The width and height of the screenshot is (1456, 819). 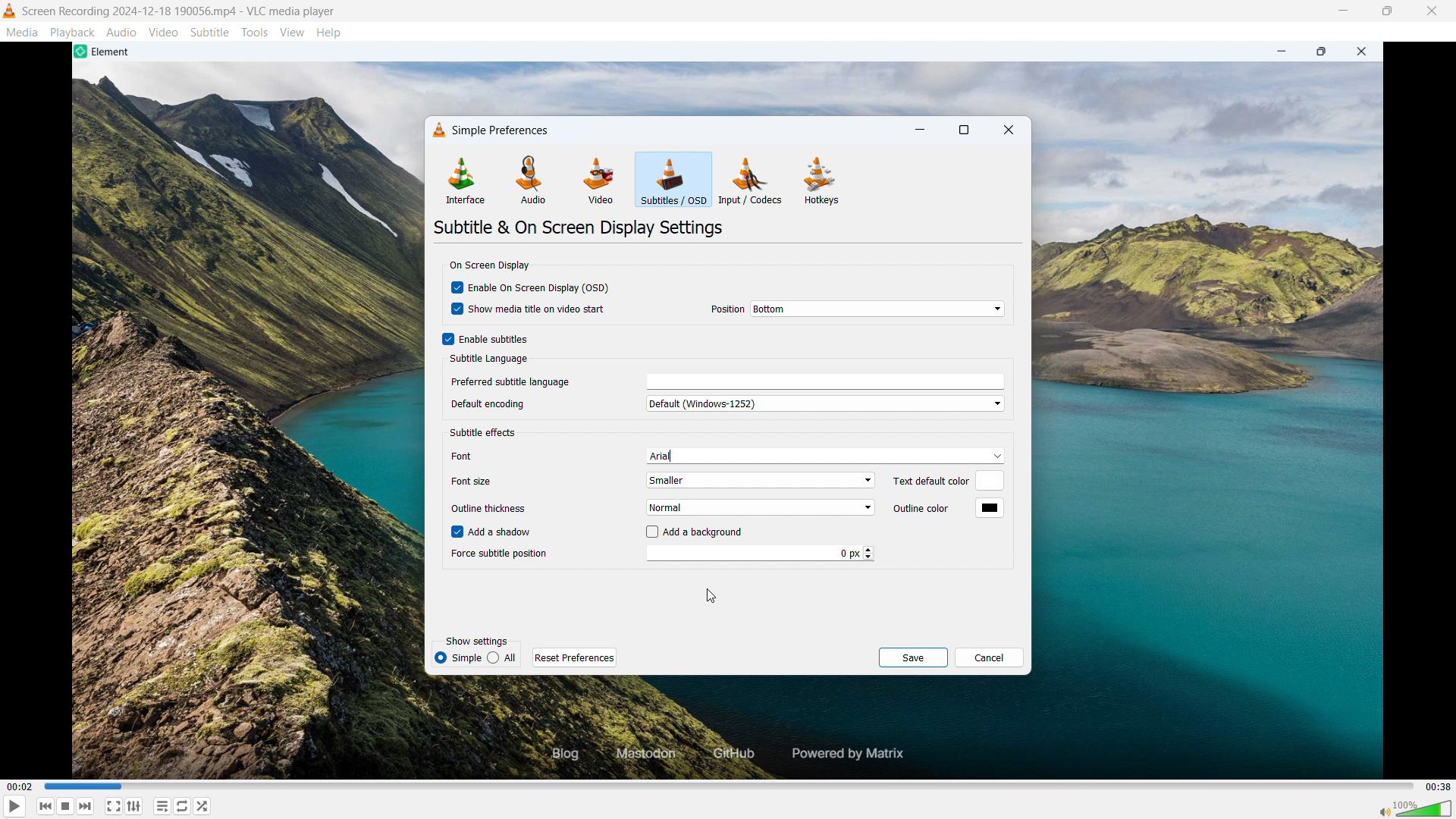 I want to click on minimize, so click(x=921, y=130).